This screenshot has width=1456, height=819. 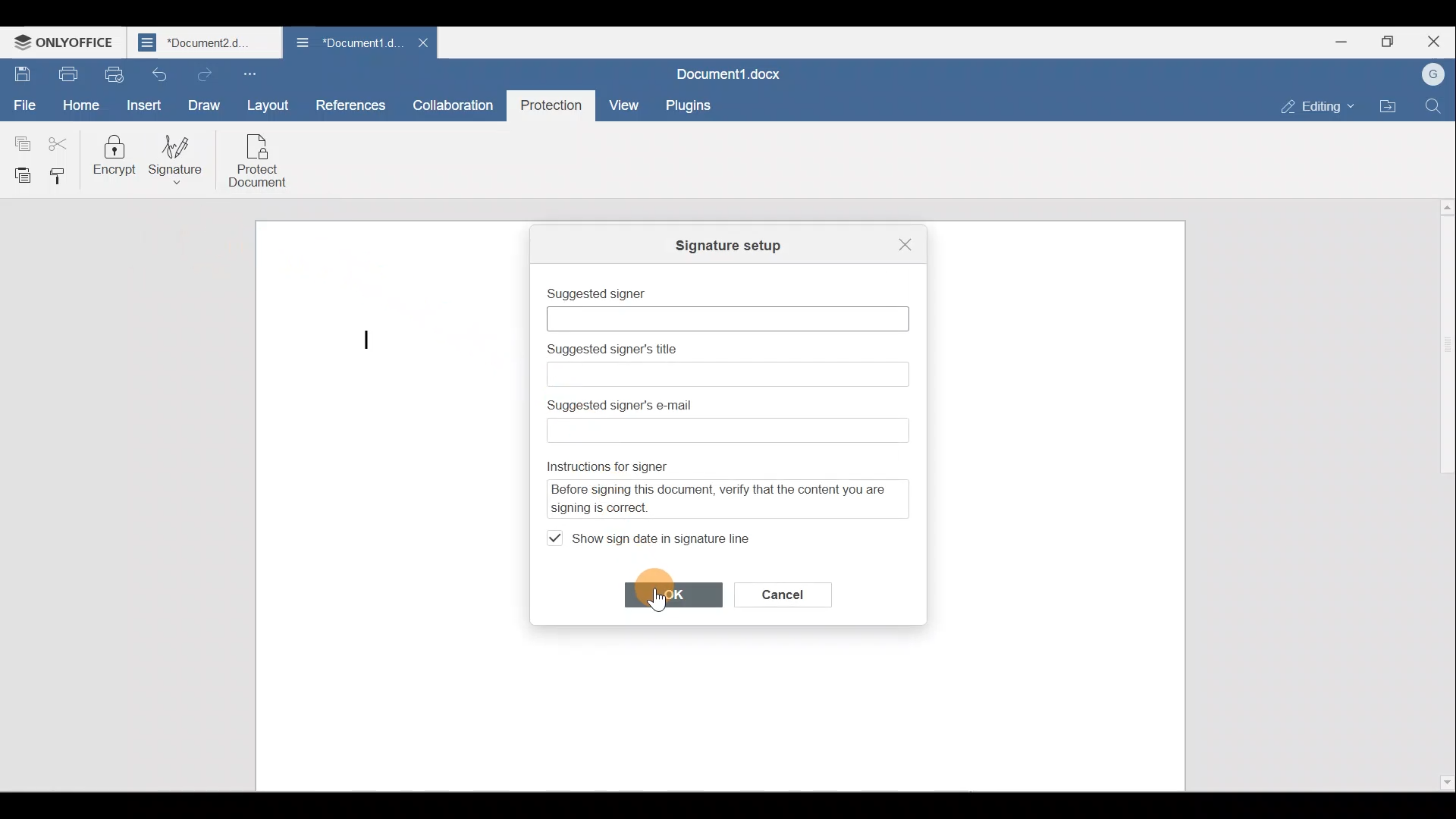 I want to click on Instructions for signer - Before signing this document, verify that the content you are signing is correct., so click(x=729, y=493).